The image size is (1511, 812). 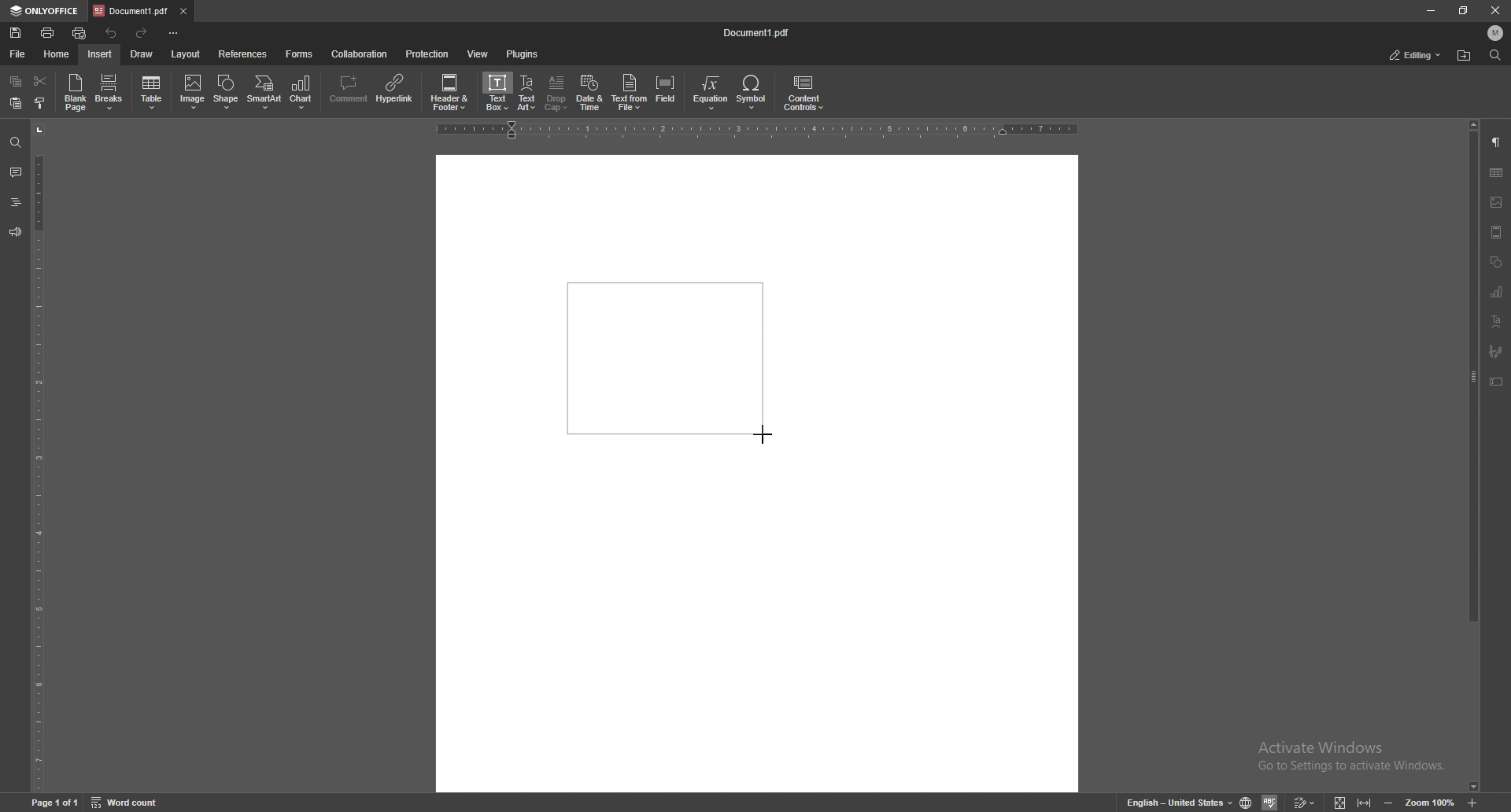 I want to click on copy, so click(x=17, y=80).